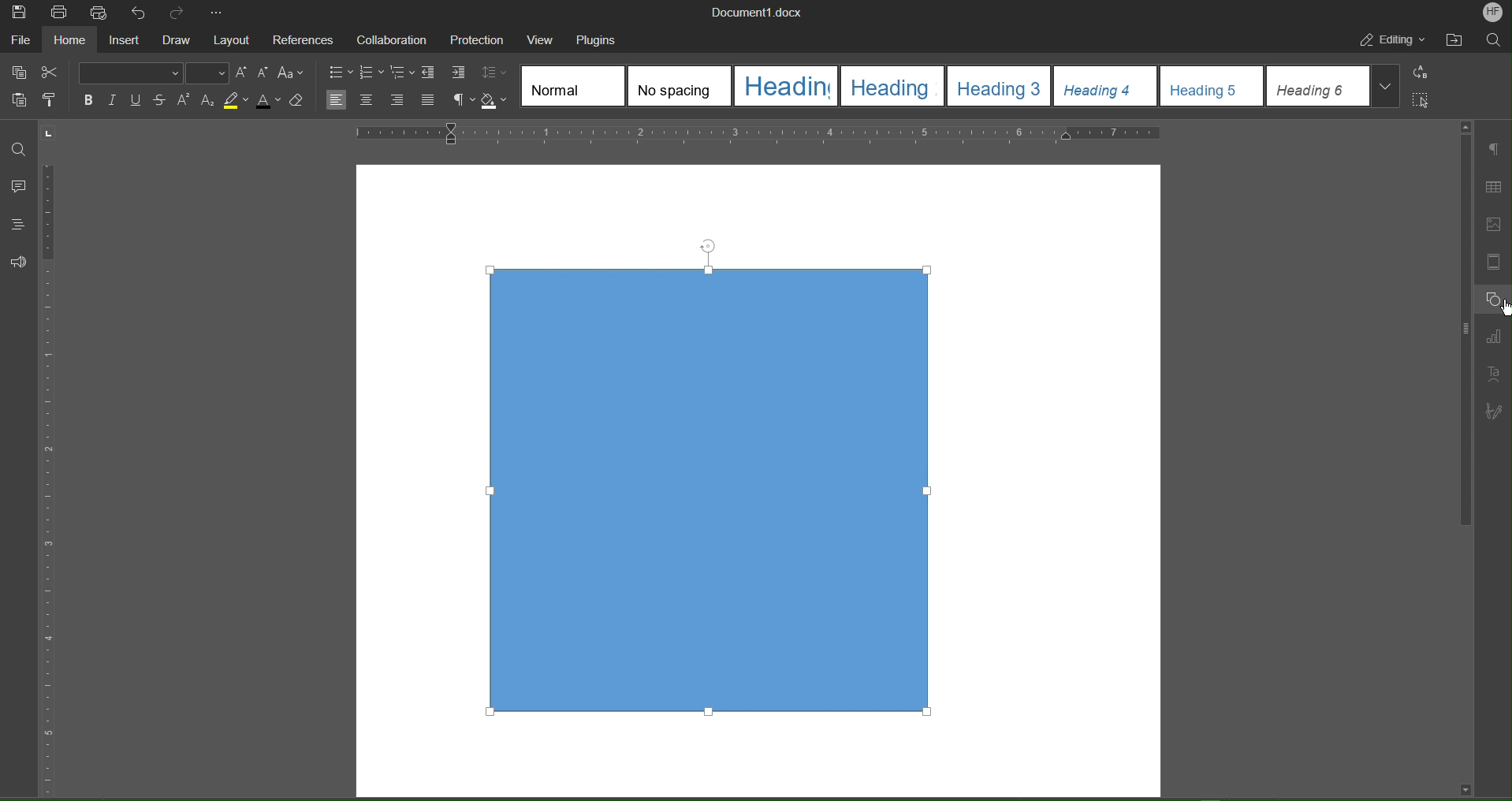 This screenshot has width=1512, height=801. I want to click on Bold, so click(88, 100).